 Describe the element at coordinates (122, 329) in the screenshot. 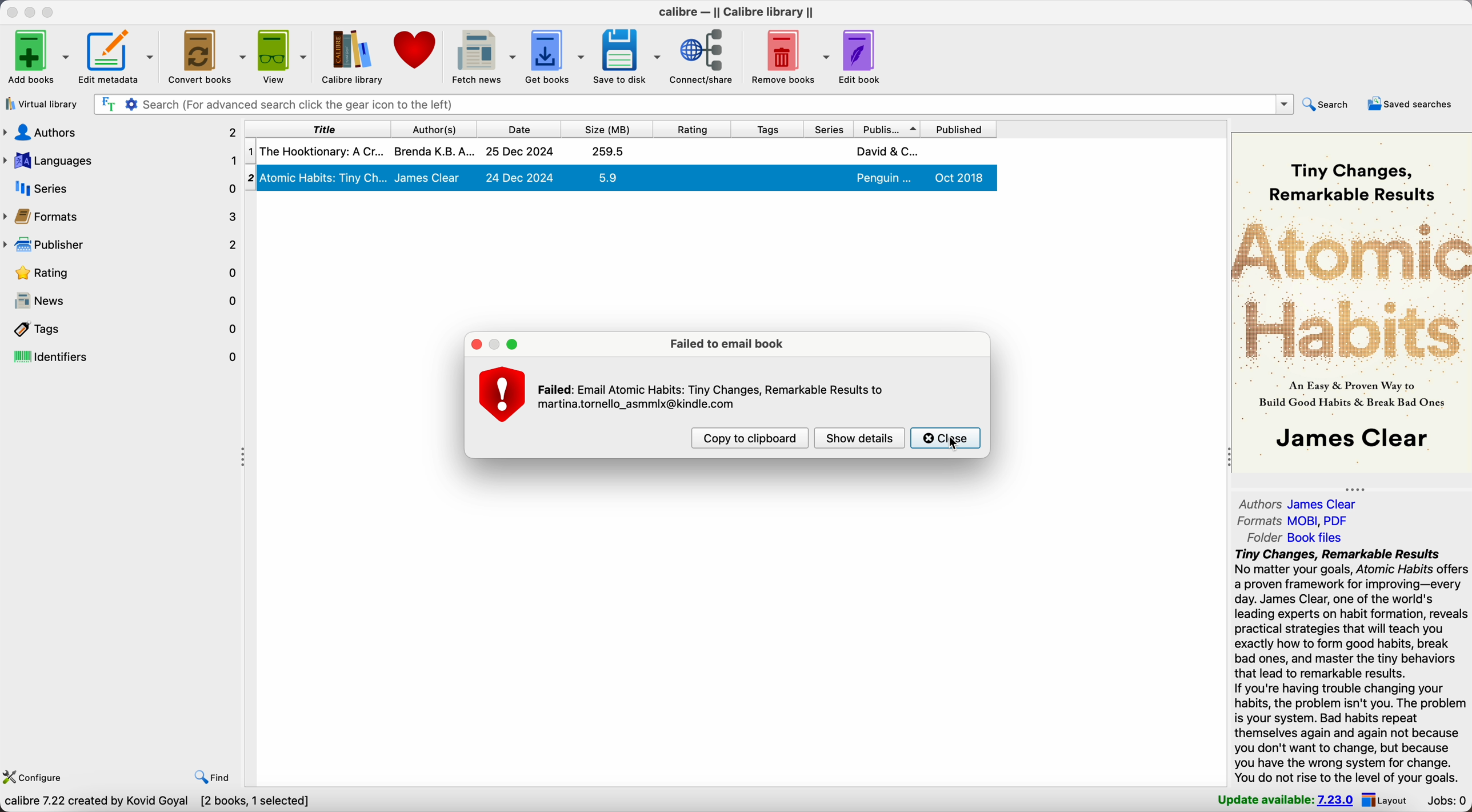

I see `tags` at that location.